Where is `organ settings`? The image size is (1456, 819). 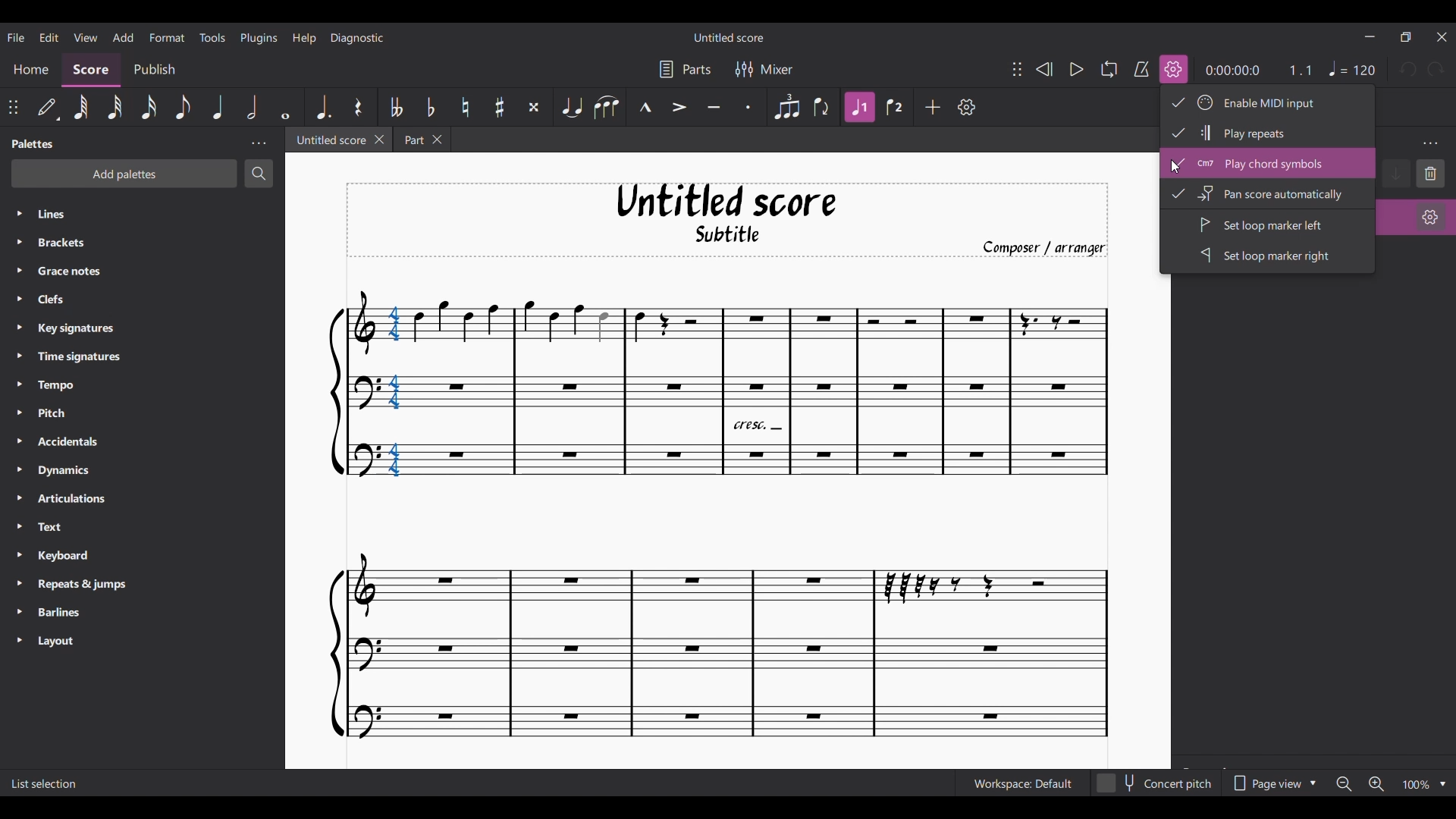
organ settings is located at coordinates (1423, 221).